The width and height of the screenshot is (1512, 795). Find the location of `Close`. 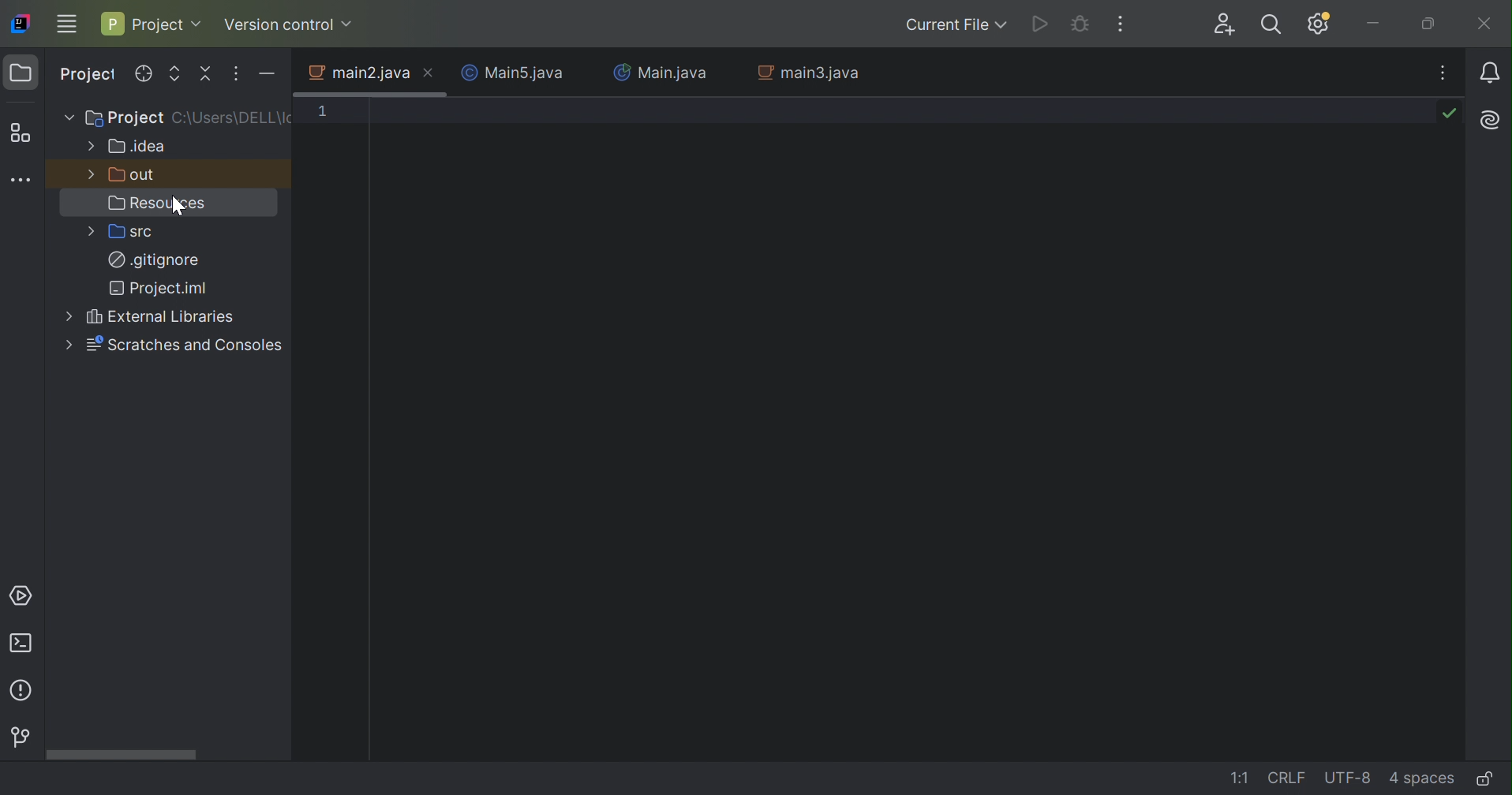

Close is located at coordinates (430, 74).